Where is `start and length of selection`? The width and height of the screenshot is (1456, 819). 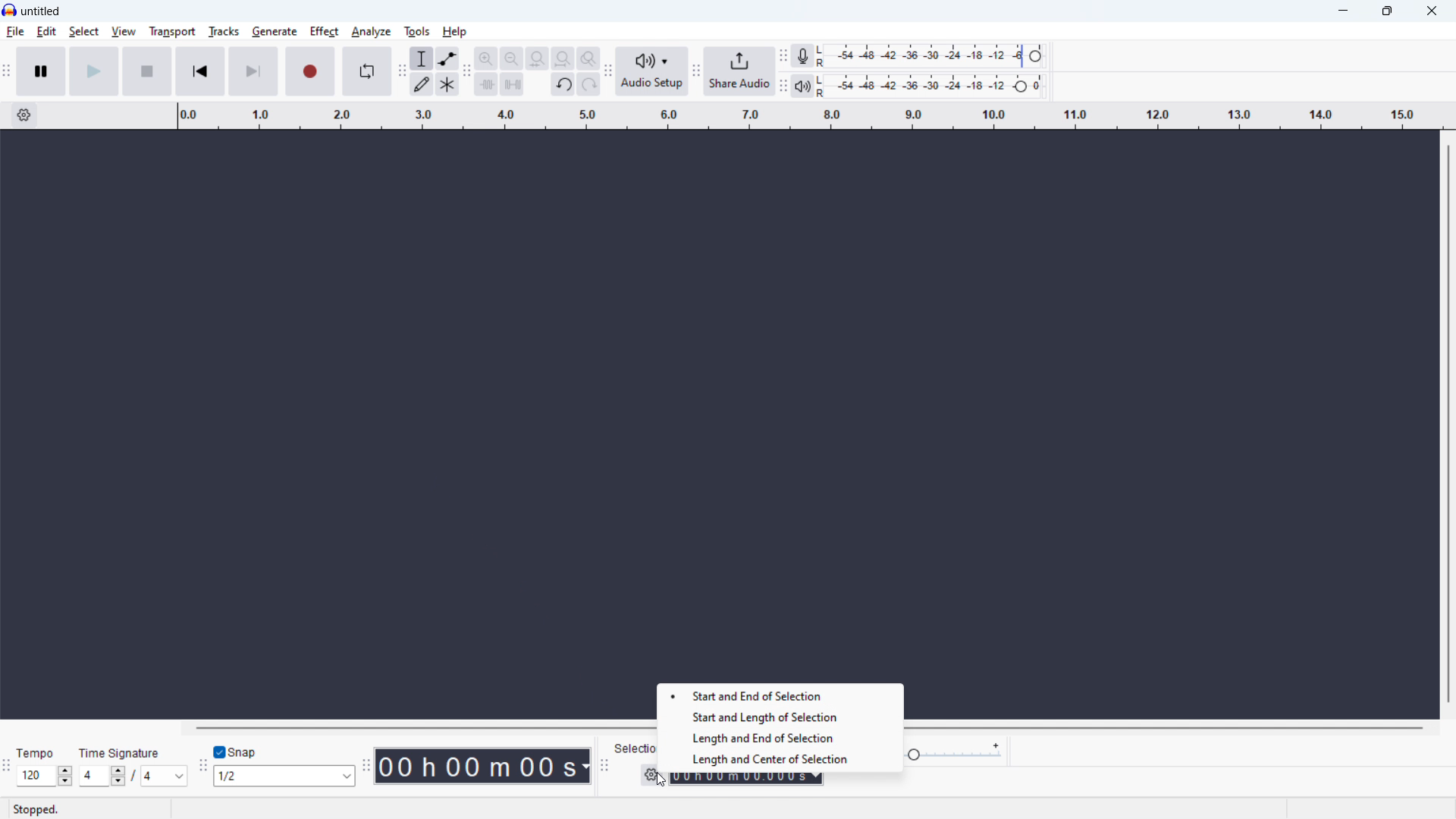 start and length of selection is located at coordinates (781, 717).